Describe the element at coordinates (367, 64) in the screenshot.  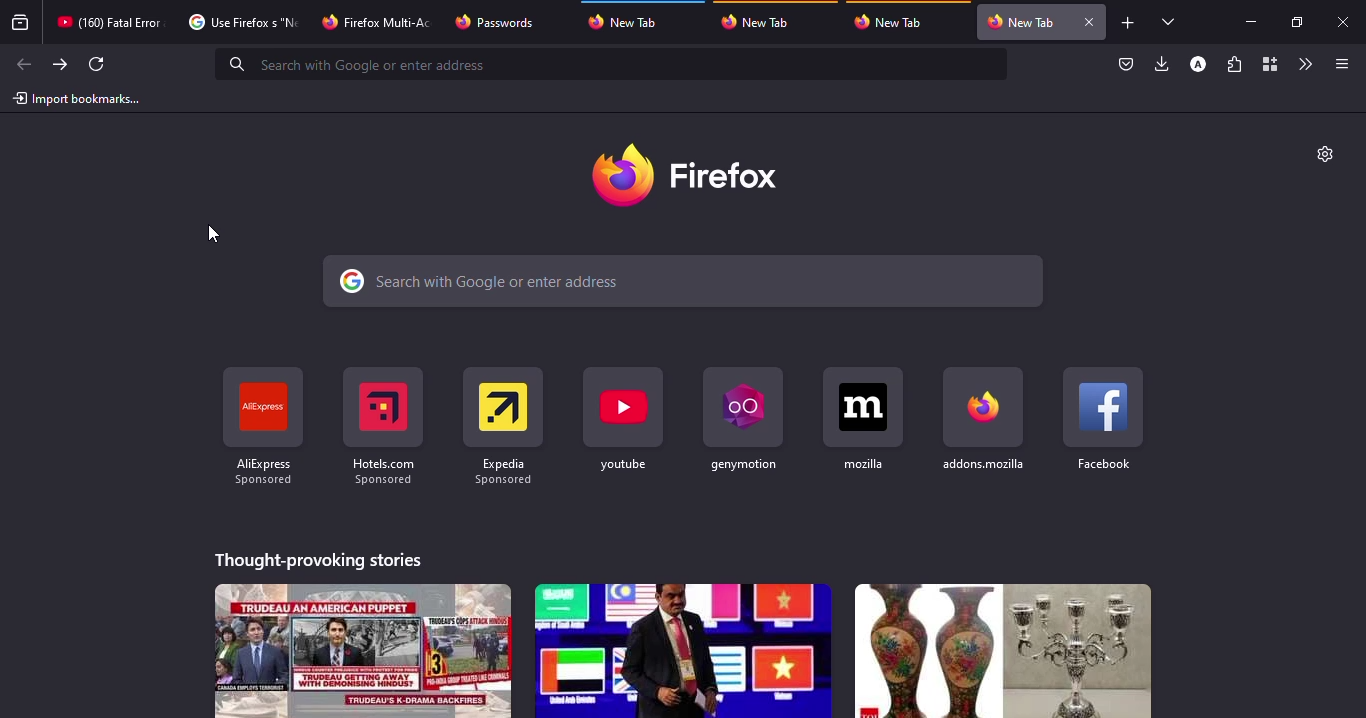
I see `search` at that location.